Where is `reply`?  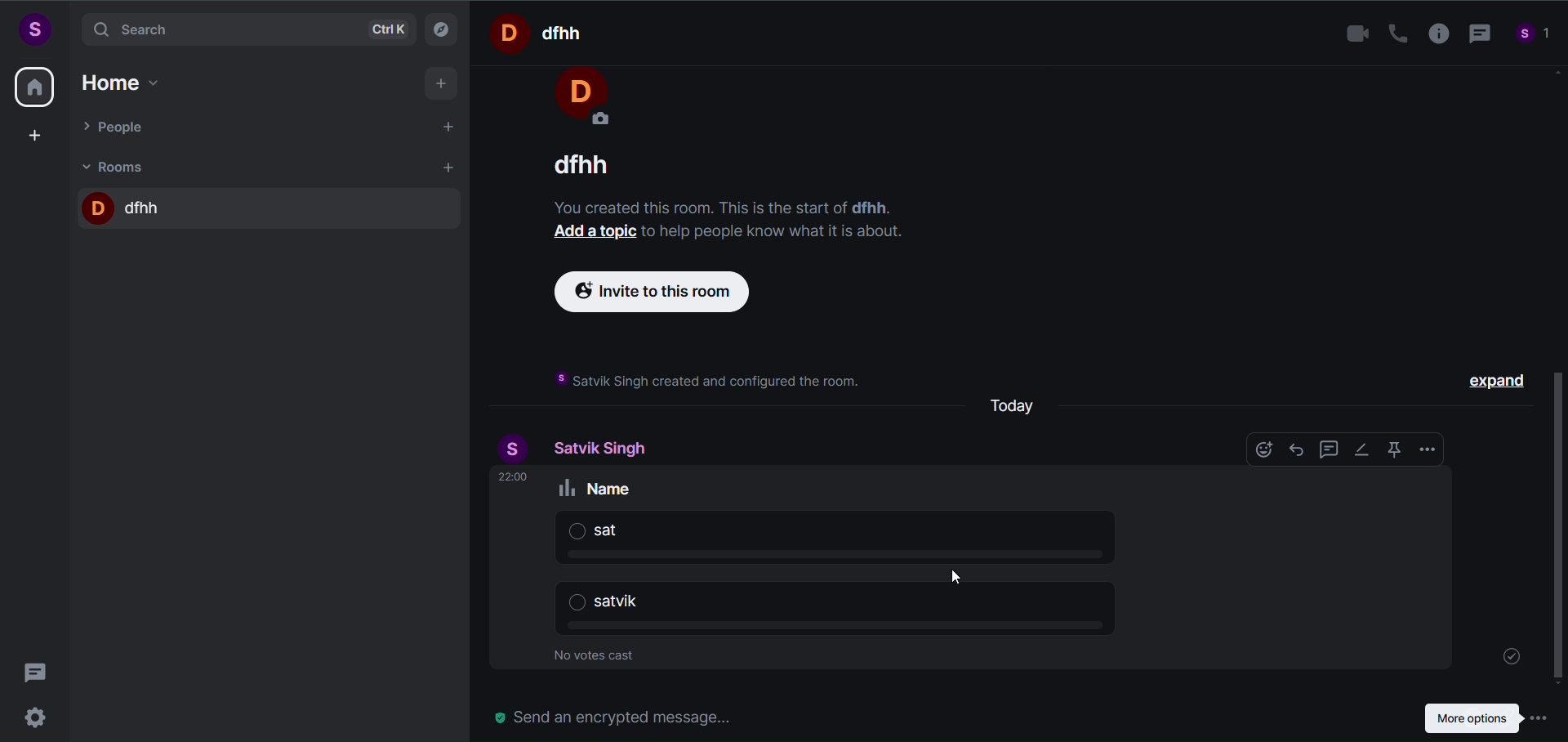
reply is located at coordinates (1294, 449).